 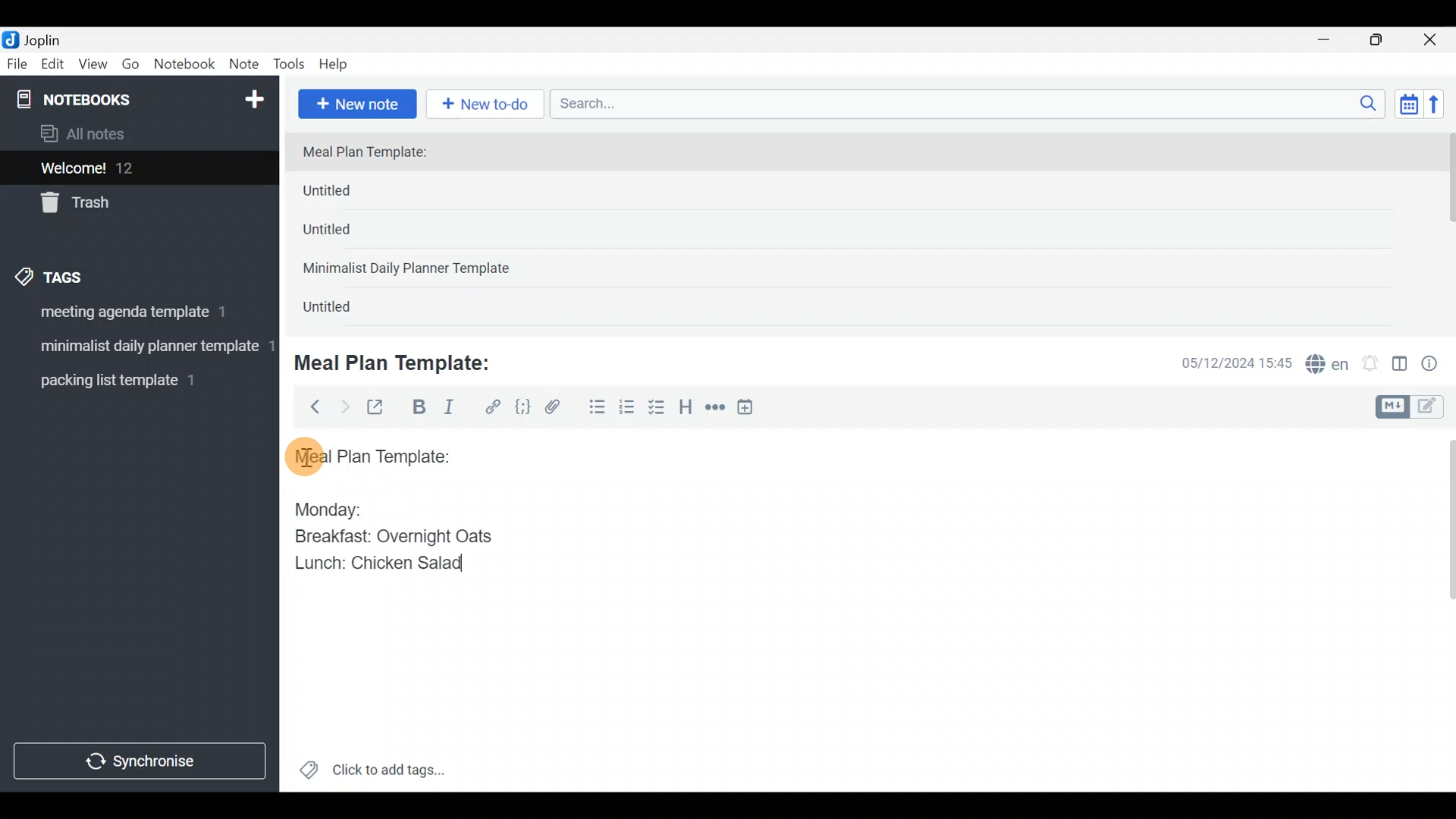 What do you see at coordinates (309, 406) in the screenshot?
I see `Back` at bounding box center [309, 406].